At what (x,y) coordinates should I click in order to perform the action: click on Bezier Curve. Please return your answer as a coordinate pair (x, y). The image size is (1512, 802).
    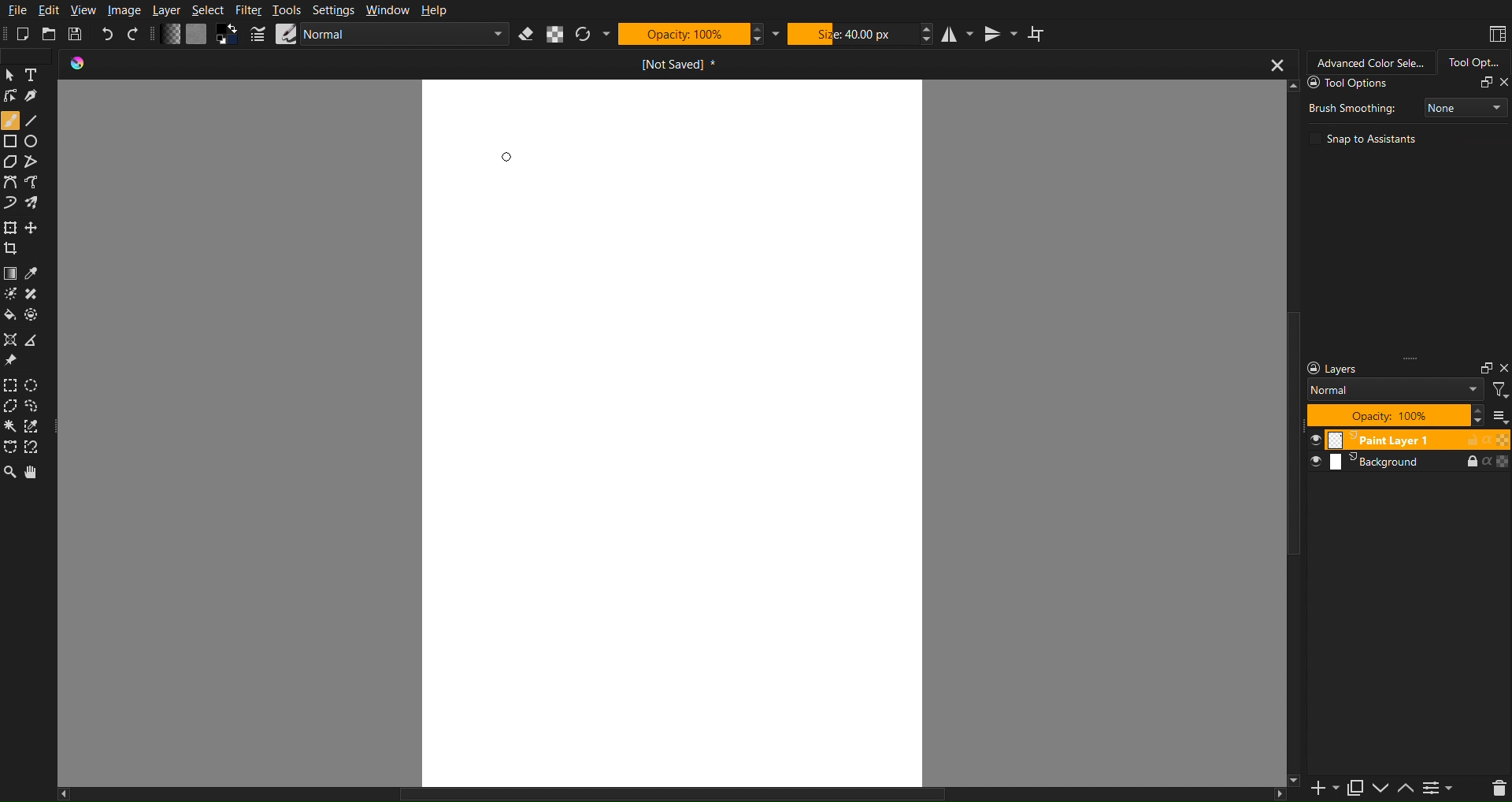
    Looking at the image, I should click on (39, 184).